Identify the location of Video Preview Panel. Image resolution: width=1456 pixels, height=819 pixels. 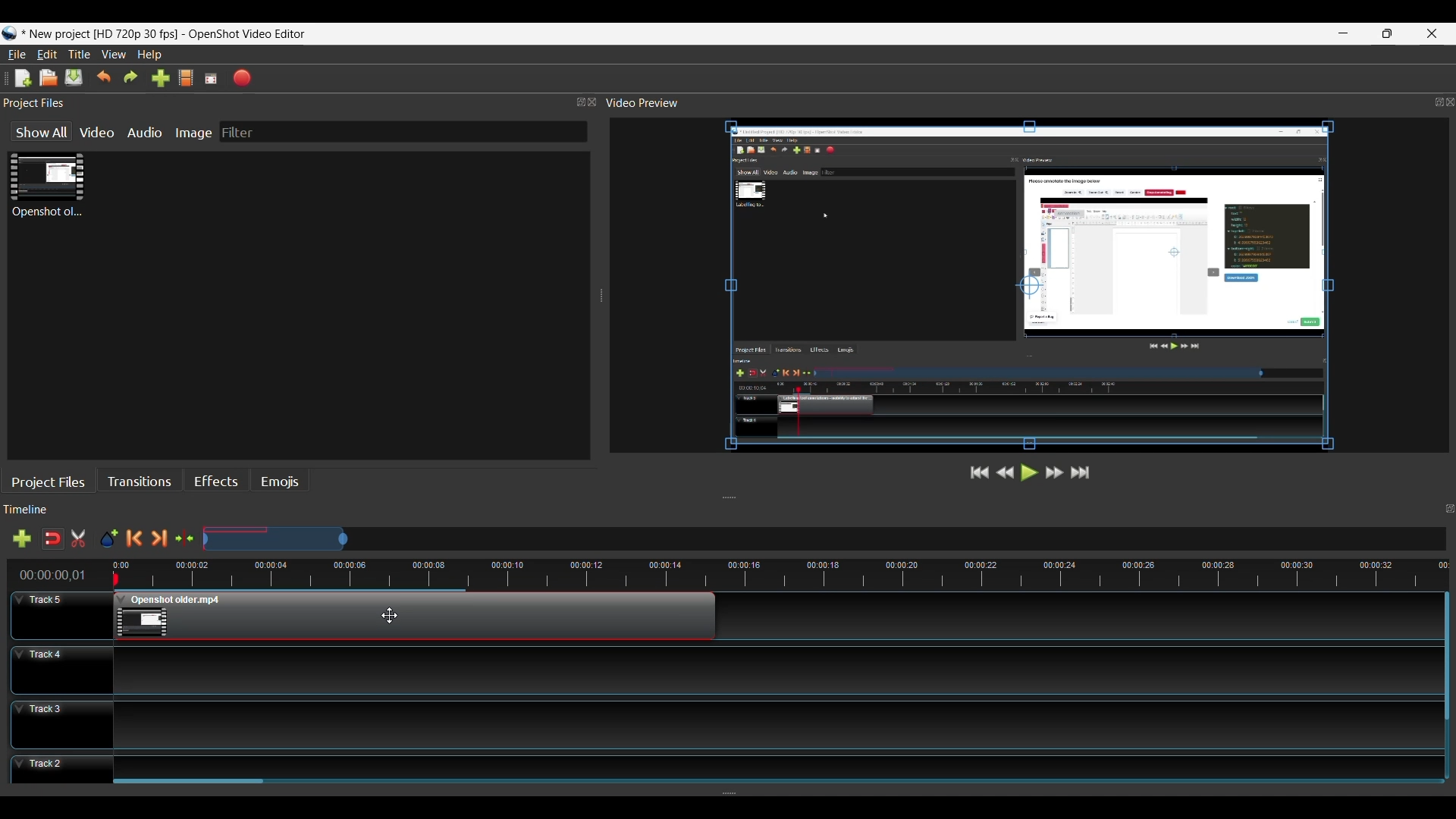
(1029, 103).